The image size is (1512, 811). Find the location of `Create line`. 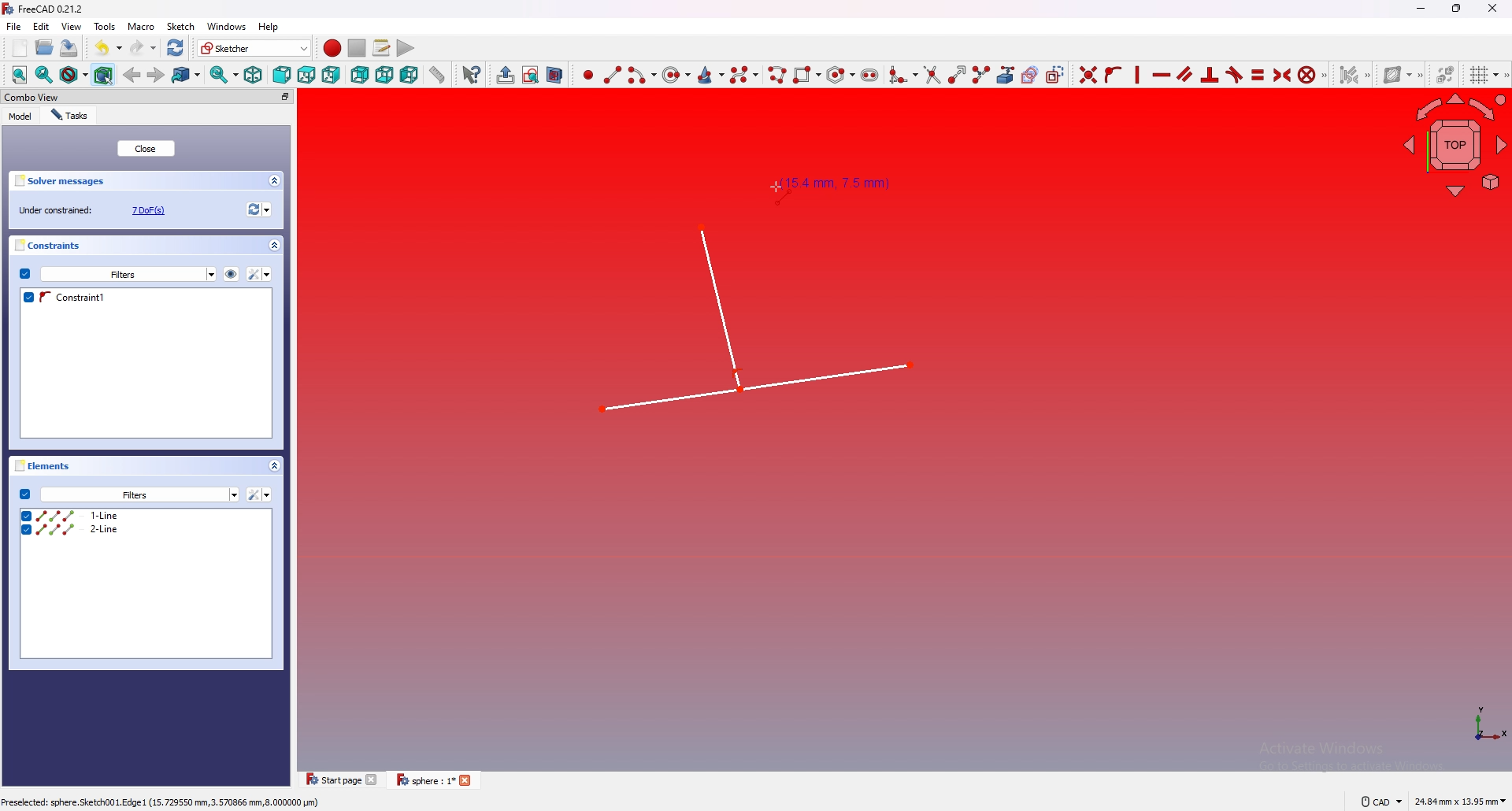

Create line is located at coordinates (613, 74).